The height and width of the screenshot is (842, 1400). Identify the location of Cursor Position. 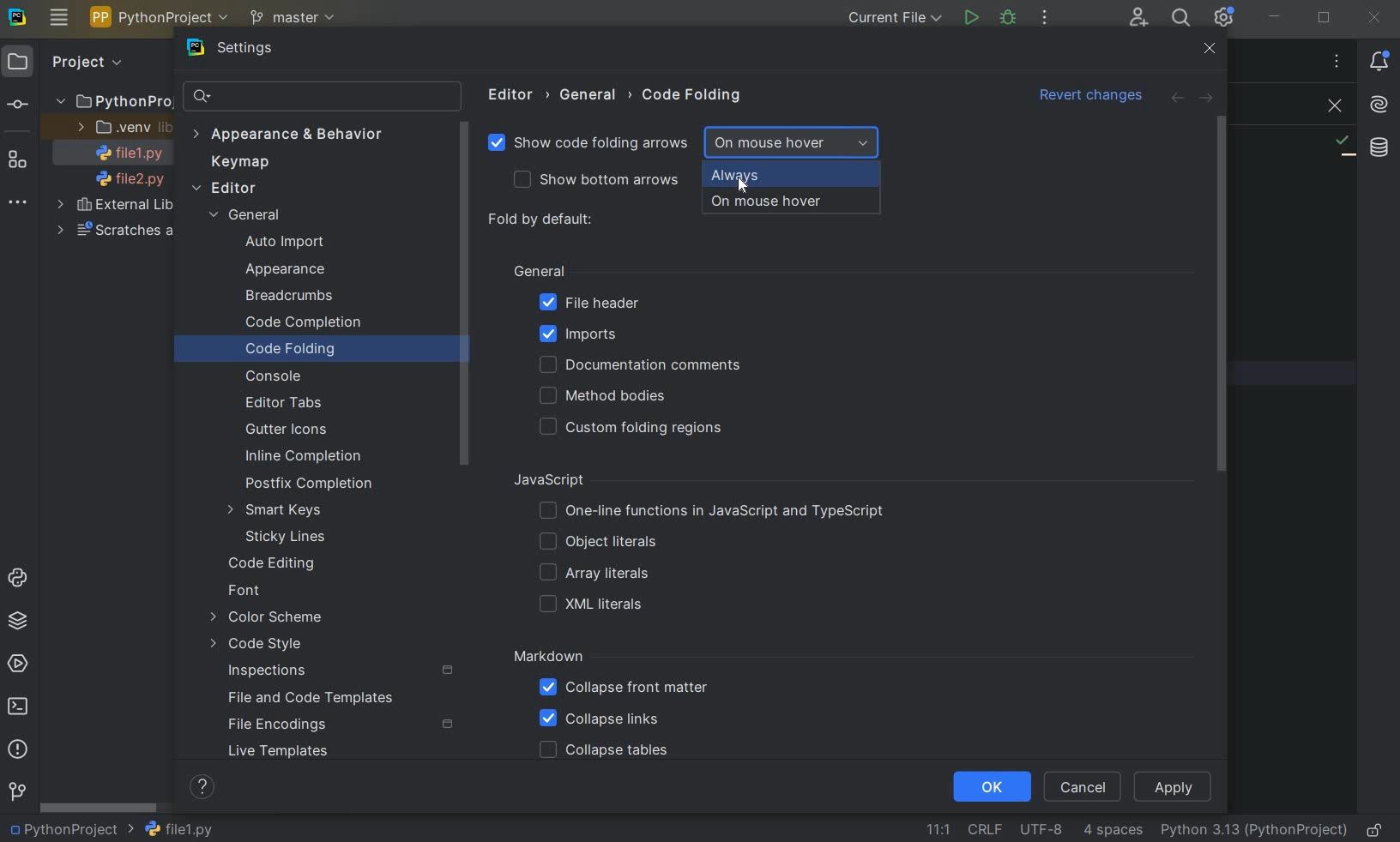
(739, 181).